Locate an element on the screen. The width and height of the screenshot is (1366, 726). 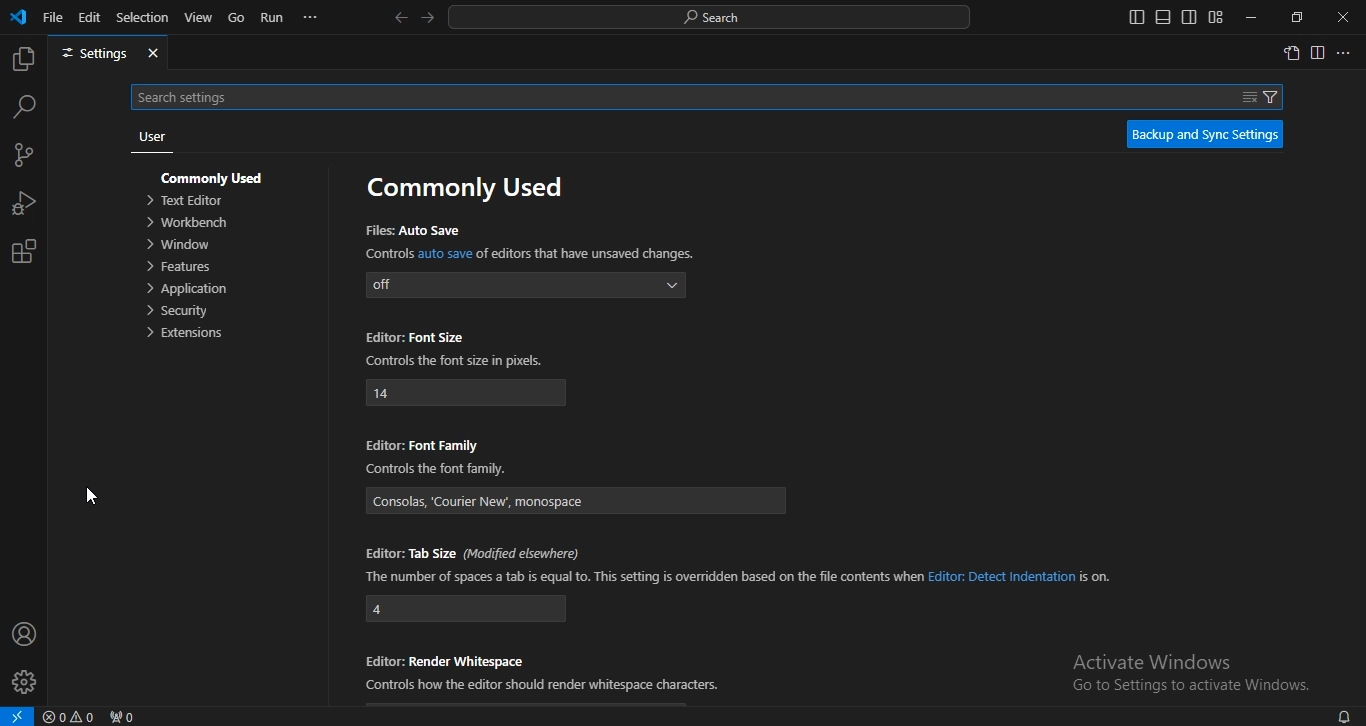
features is located at coordinates (178, 267).